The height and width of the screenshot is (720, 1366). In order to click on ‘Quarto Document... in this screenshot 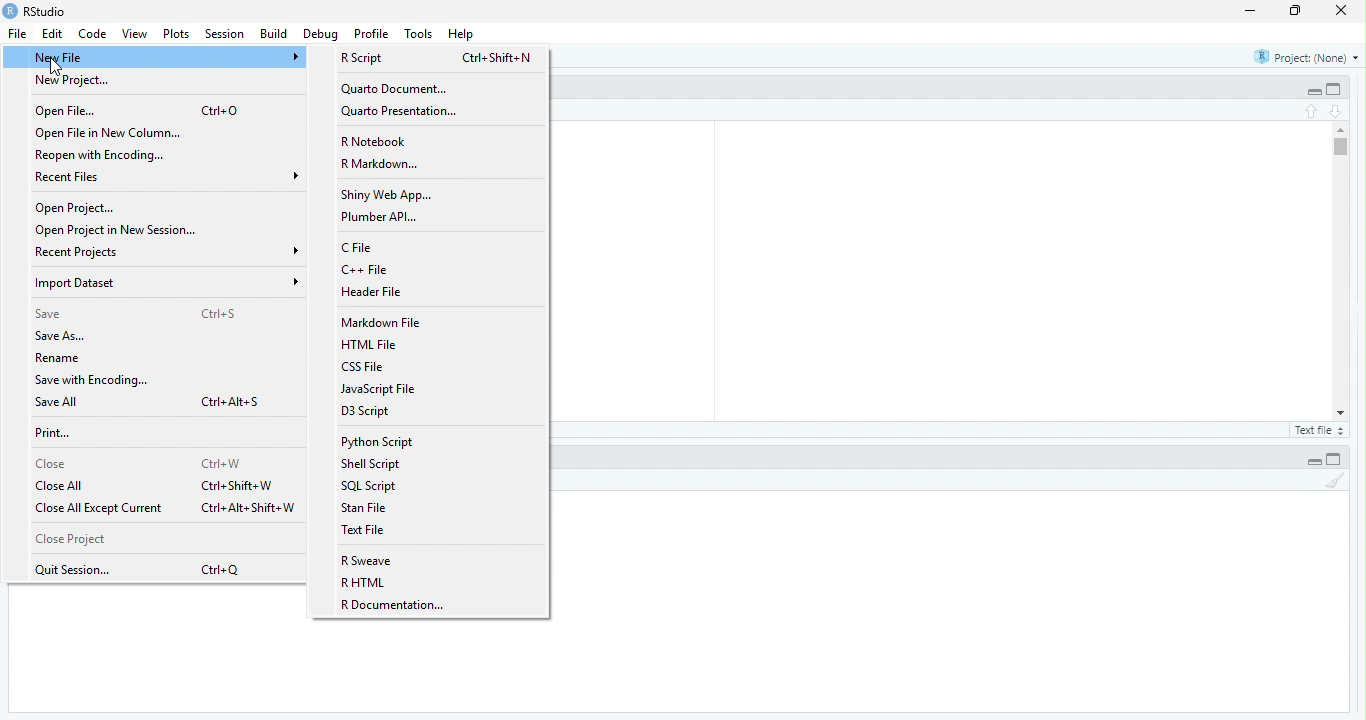, I will do `click(394, 90)`.